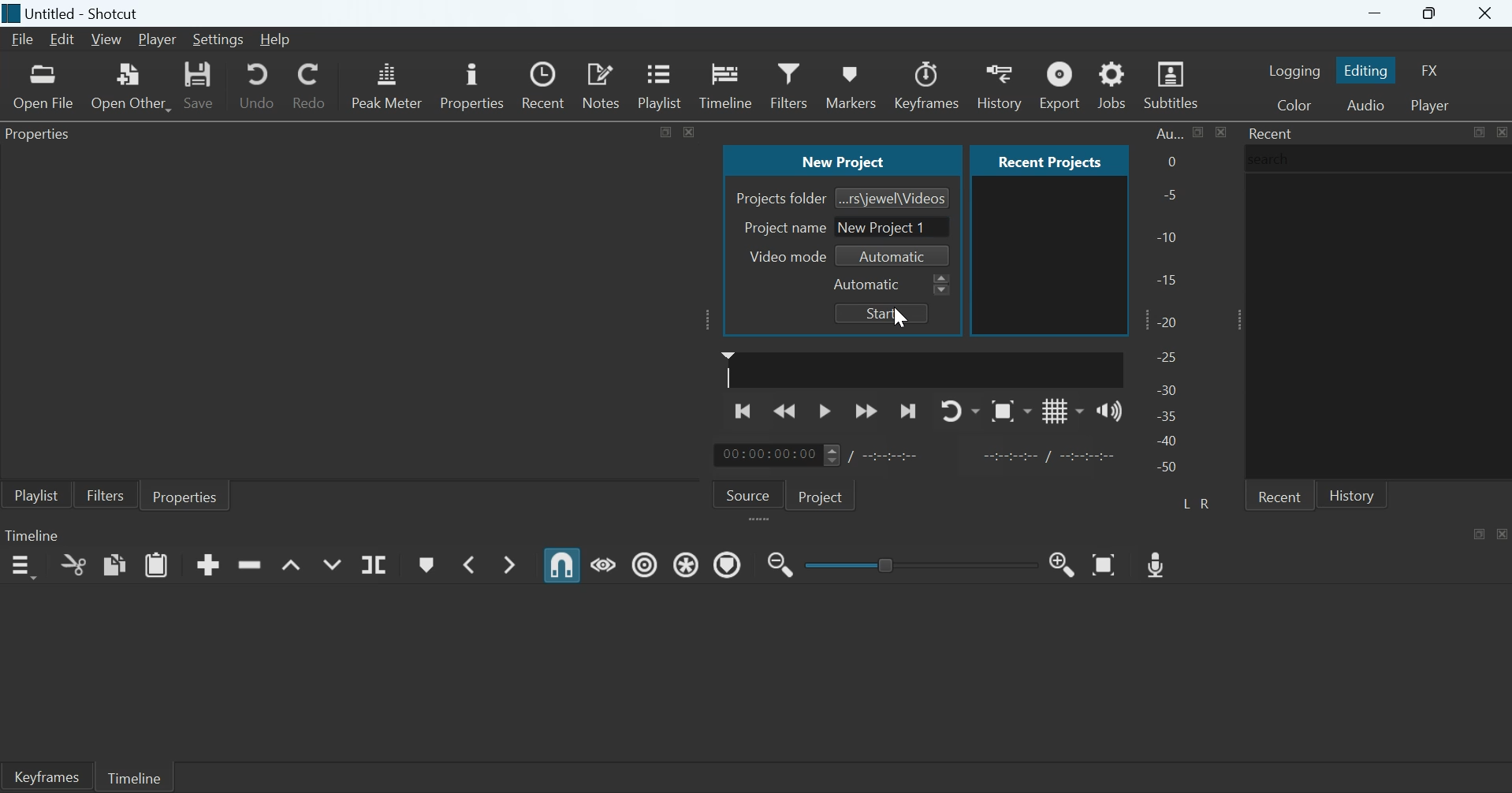 This screenshot has height=793, width=1512. I want to click on Timeline, so click(133, 776).